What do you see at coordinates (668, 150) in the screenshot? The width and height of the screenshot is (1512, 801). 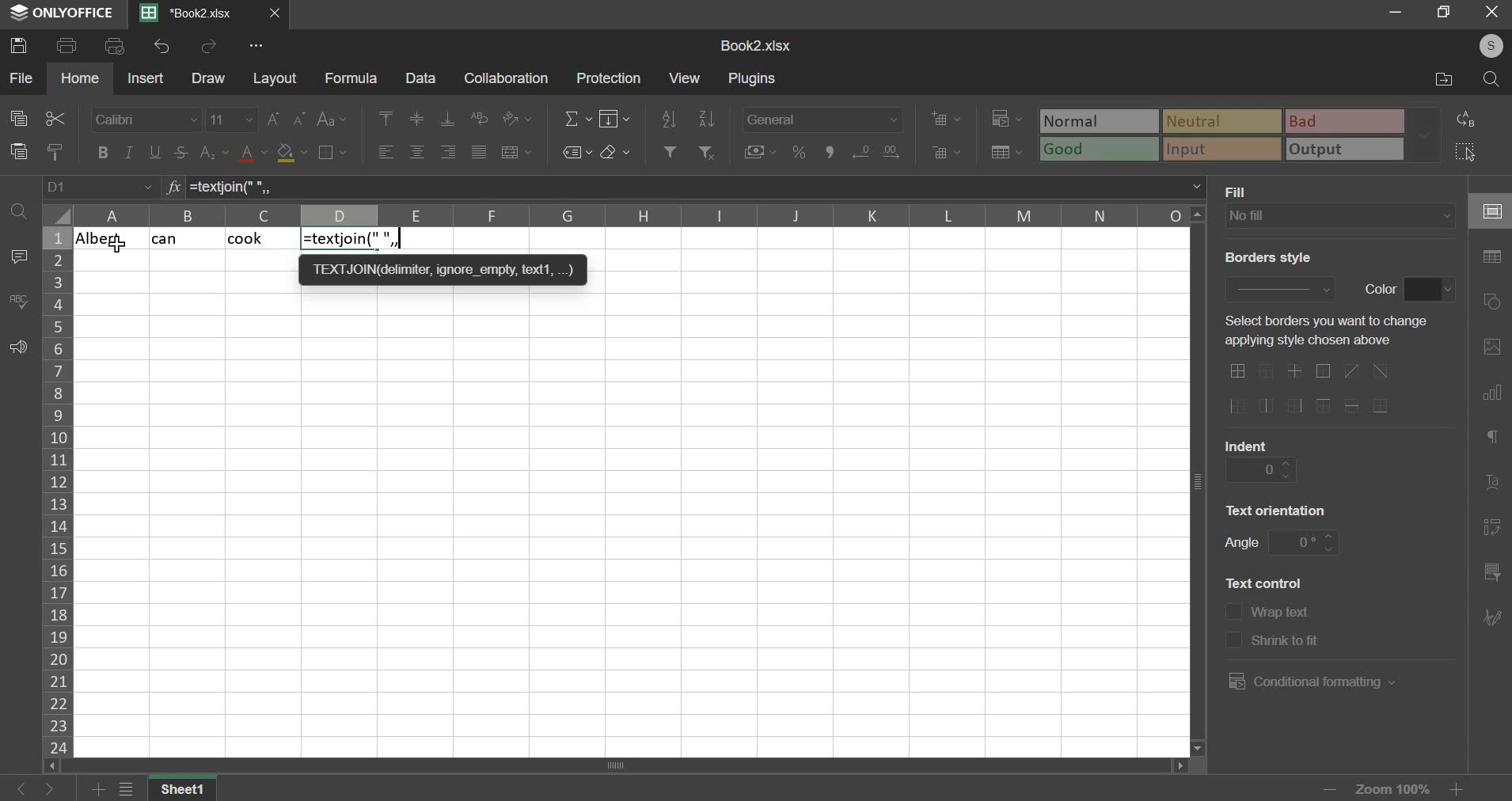 I see `add filter` at bounding box center [668, 150].